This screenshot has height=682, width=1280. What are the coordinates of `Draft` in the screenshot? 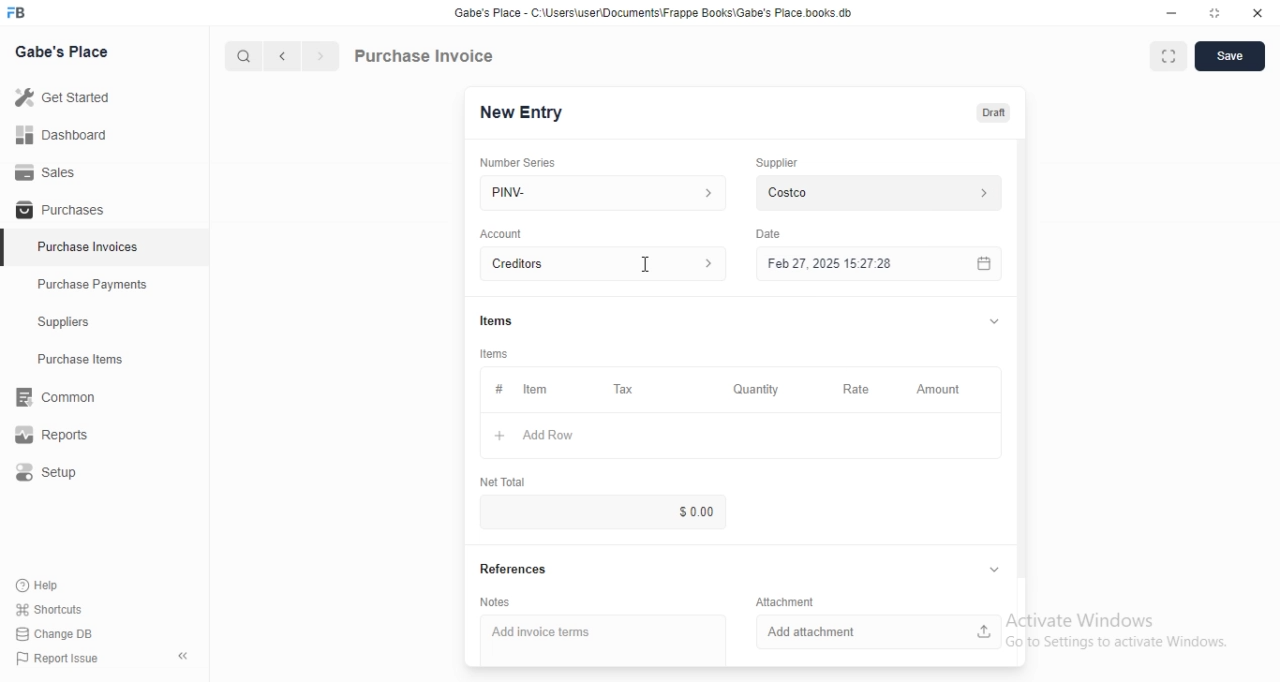 It's located at (994, 113).